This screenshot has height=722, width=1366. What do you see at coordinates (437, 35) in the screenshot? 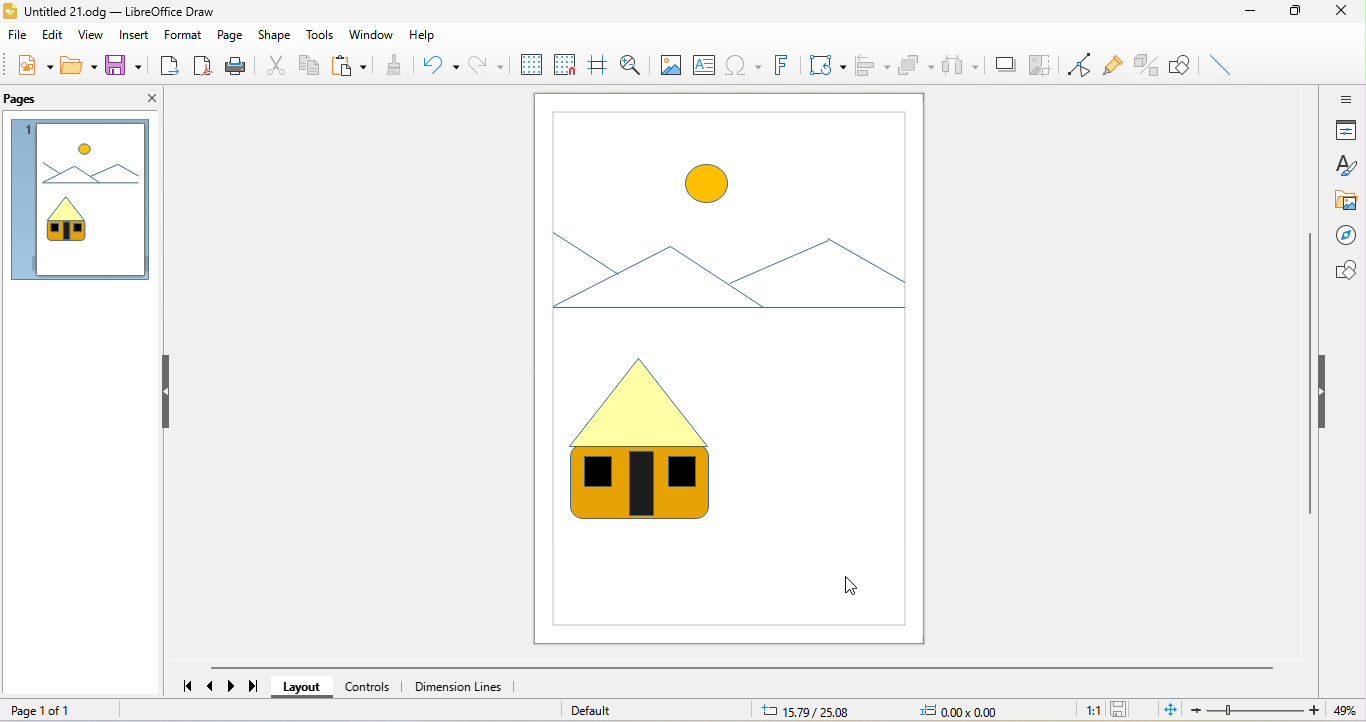
I see `help` at bounding box center [437, 35].